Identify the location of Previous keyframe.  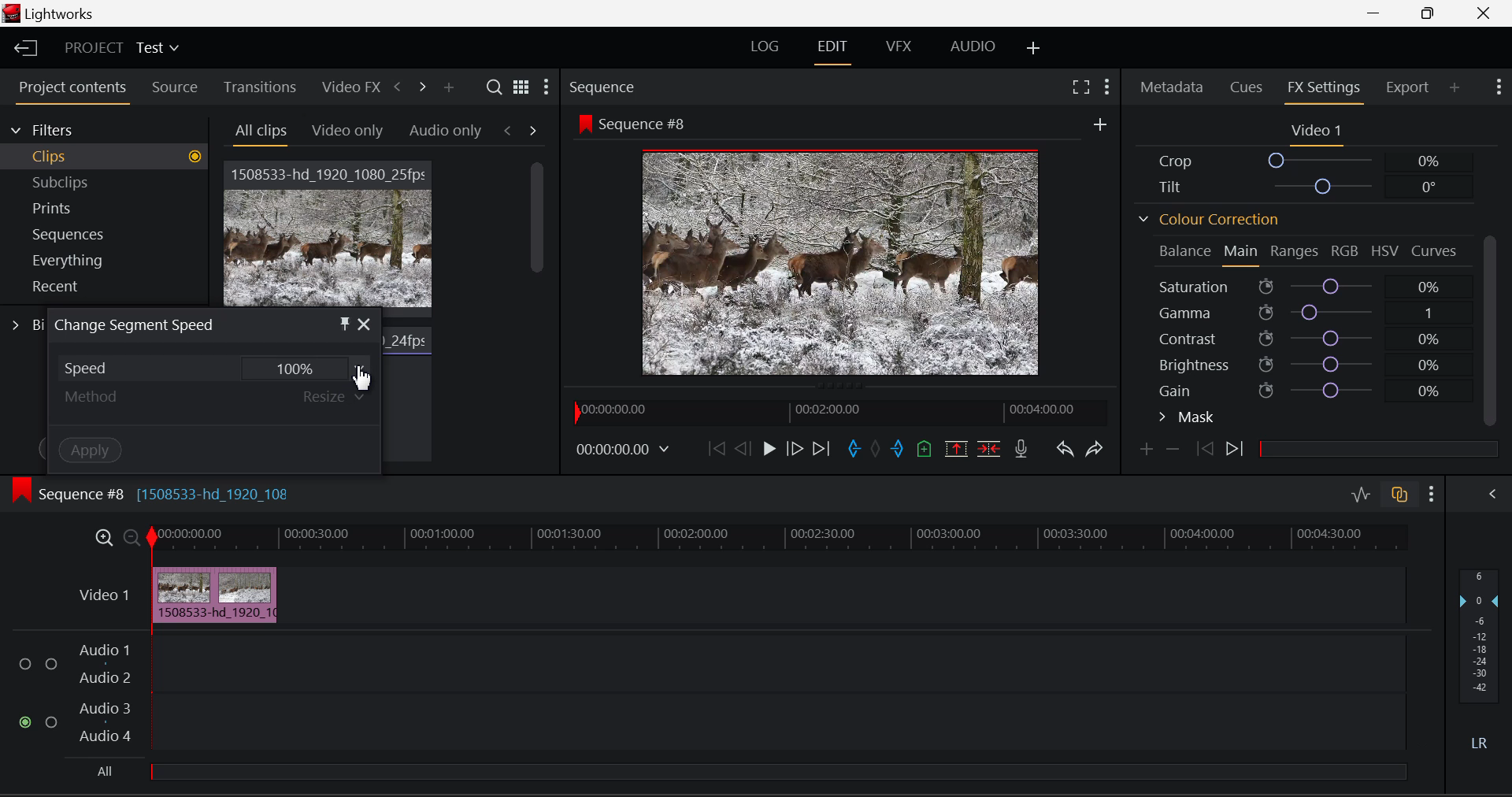
(1202, 450).